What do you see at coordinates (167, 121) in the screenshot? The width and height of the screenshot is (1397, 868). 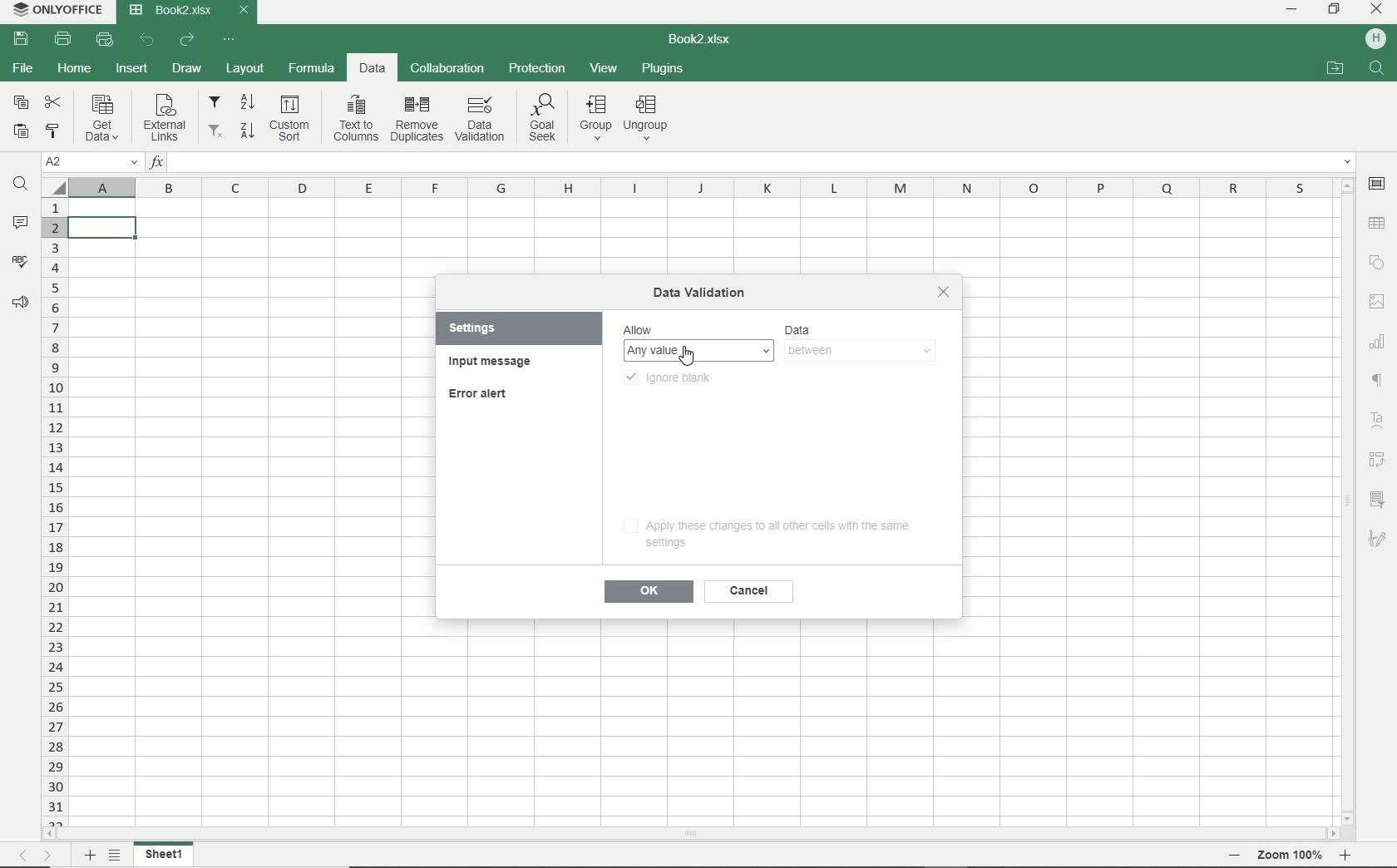 I see `external links` at bounding box center [167, 121].